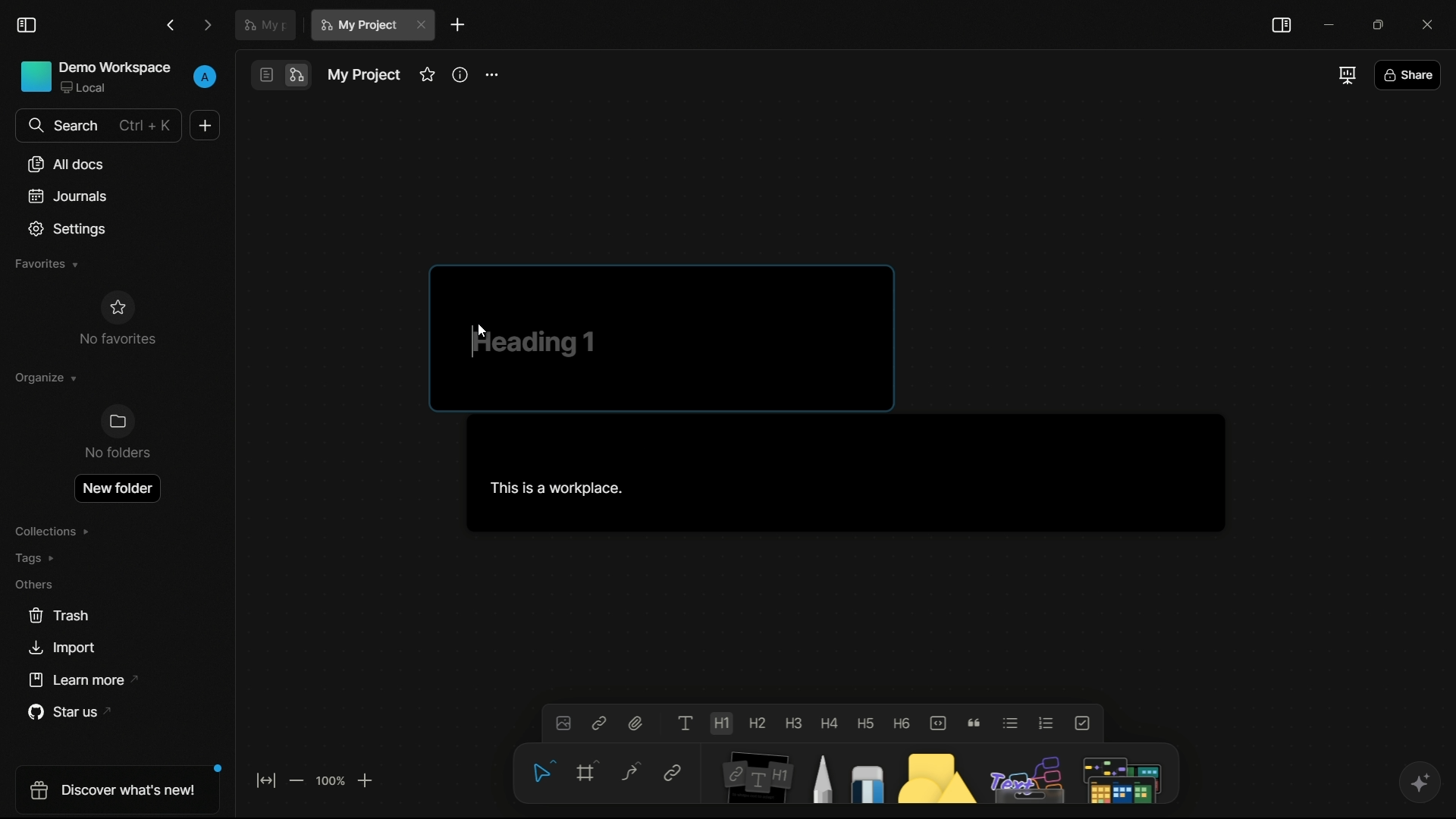  Describe the element at coordinates (172, 24) in the screenshot. I see `back` at that location.